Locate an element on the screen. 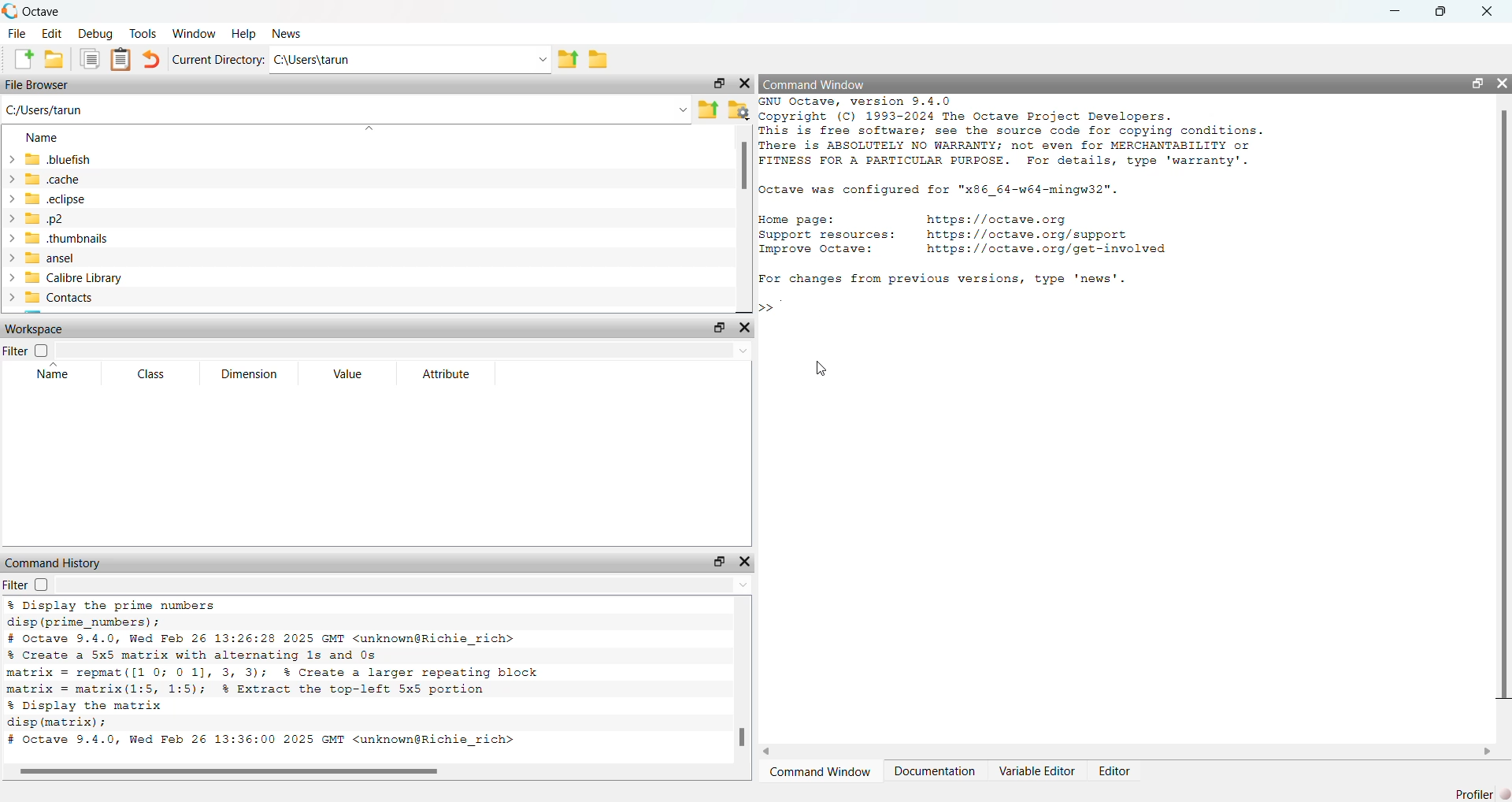 This screenshot has width=1512, height=802. .thumbnails is located at coordinates (74, 238).